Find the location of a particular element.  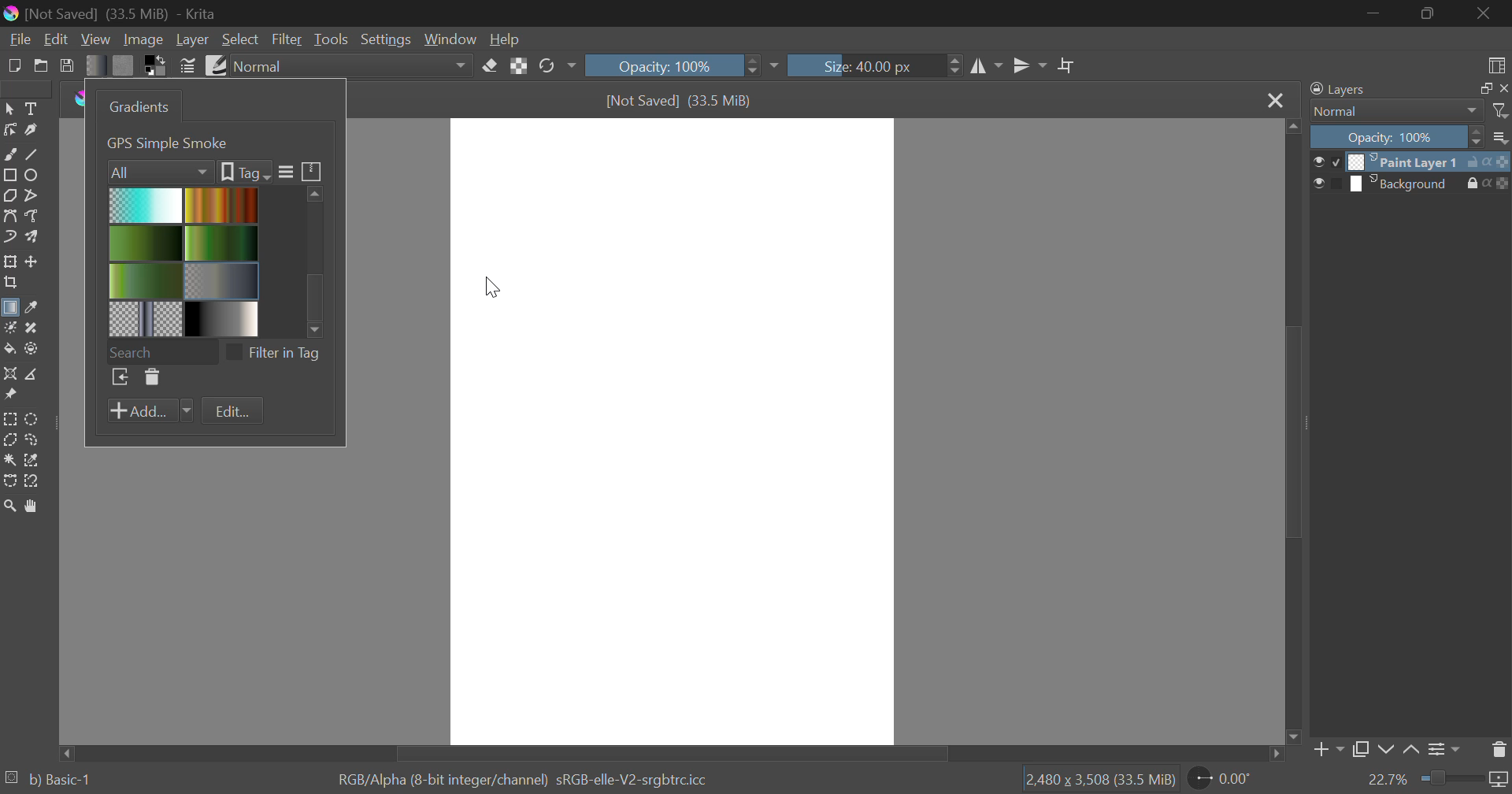

Eyedropper is located at coordinates (30, 309).